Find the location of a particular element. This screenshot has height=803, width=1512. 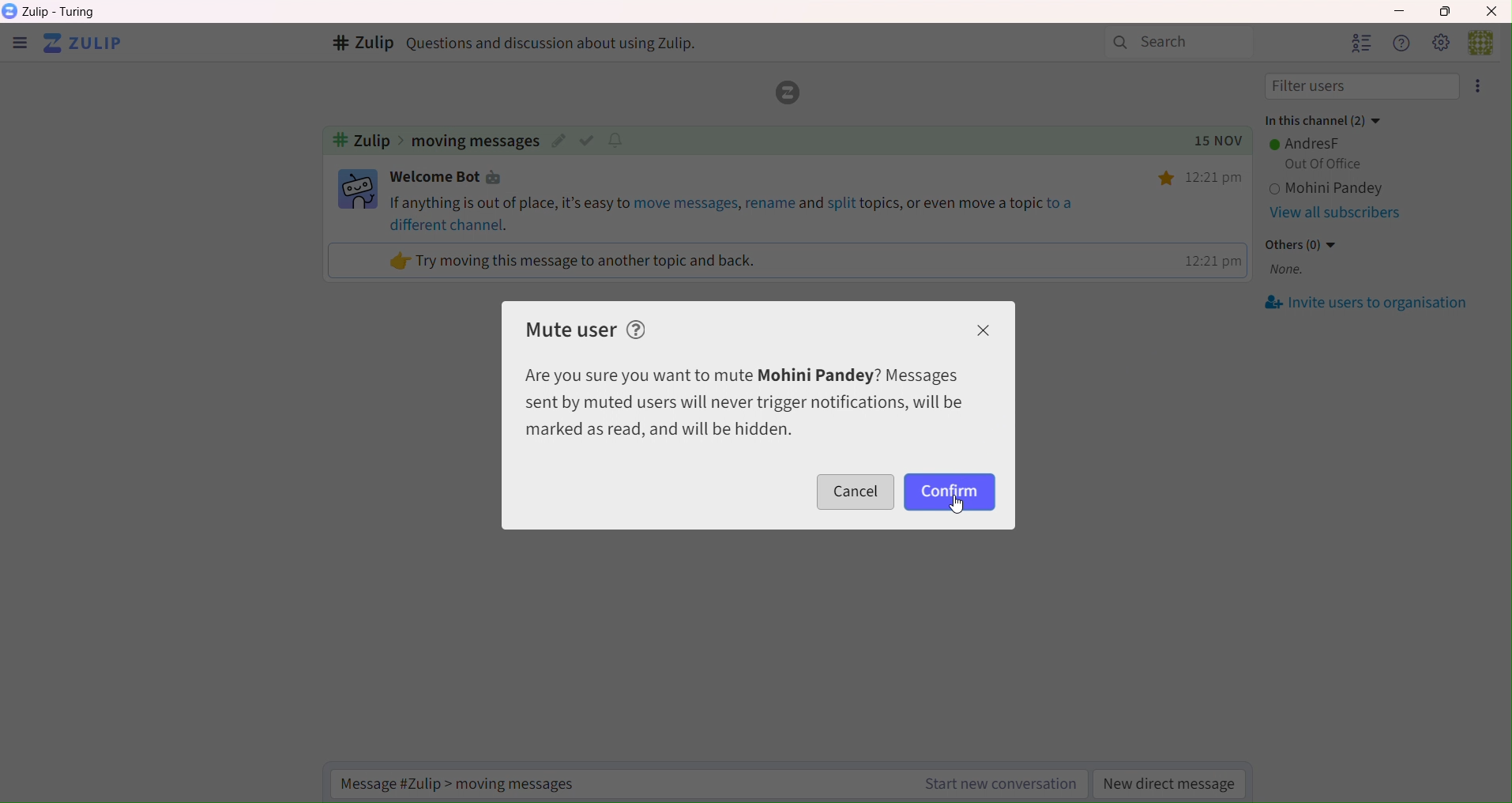

# Zulip > is located at coordinates (366, 141).